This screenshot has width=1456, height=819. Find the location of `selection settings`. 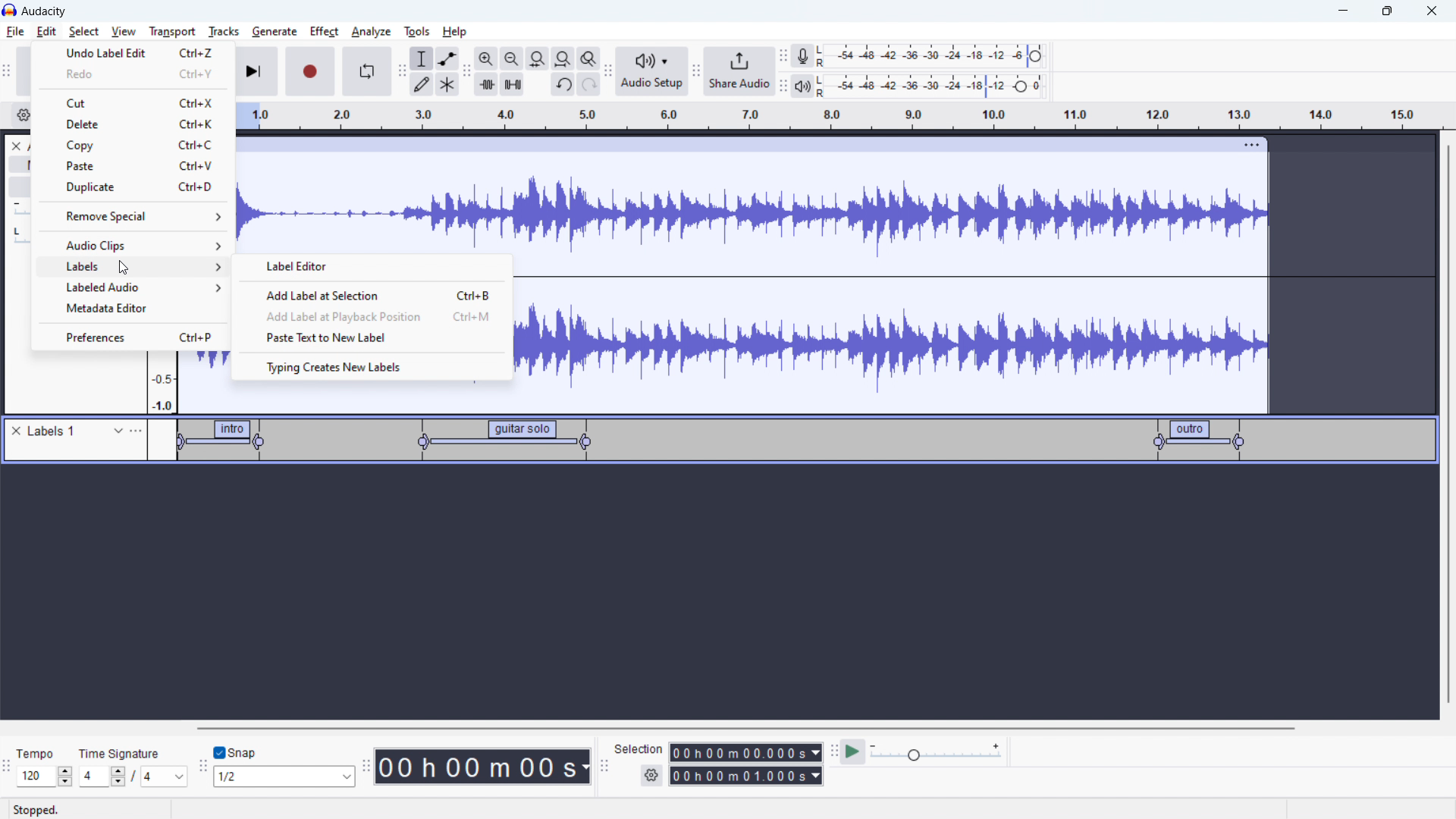

selection settings is located at coordinates (652, 776).